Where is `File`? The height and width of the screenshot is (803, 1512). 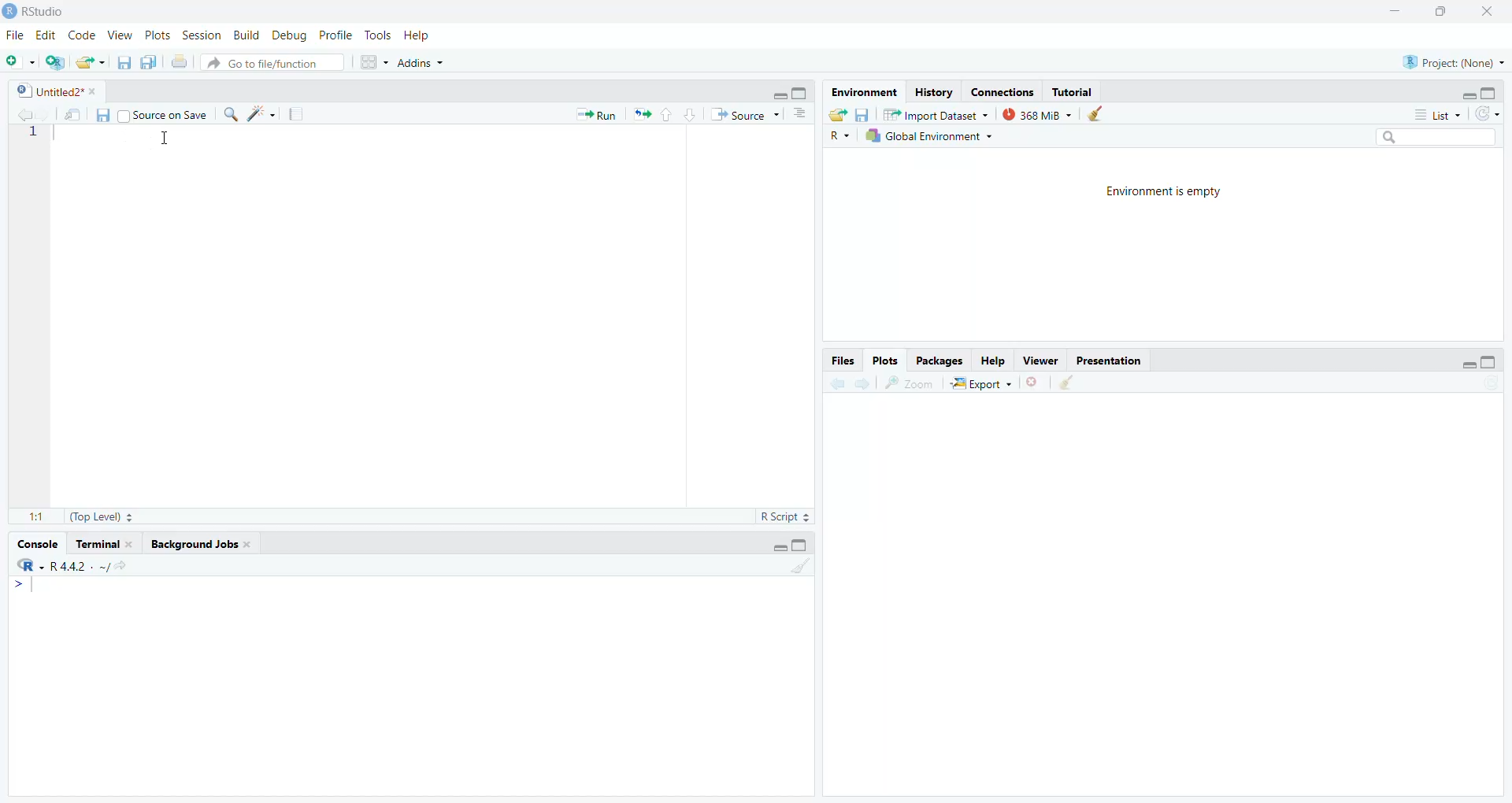 File is located at coordinates (17, 36).